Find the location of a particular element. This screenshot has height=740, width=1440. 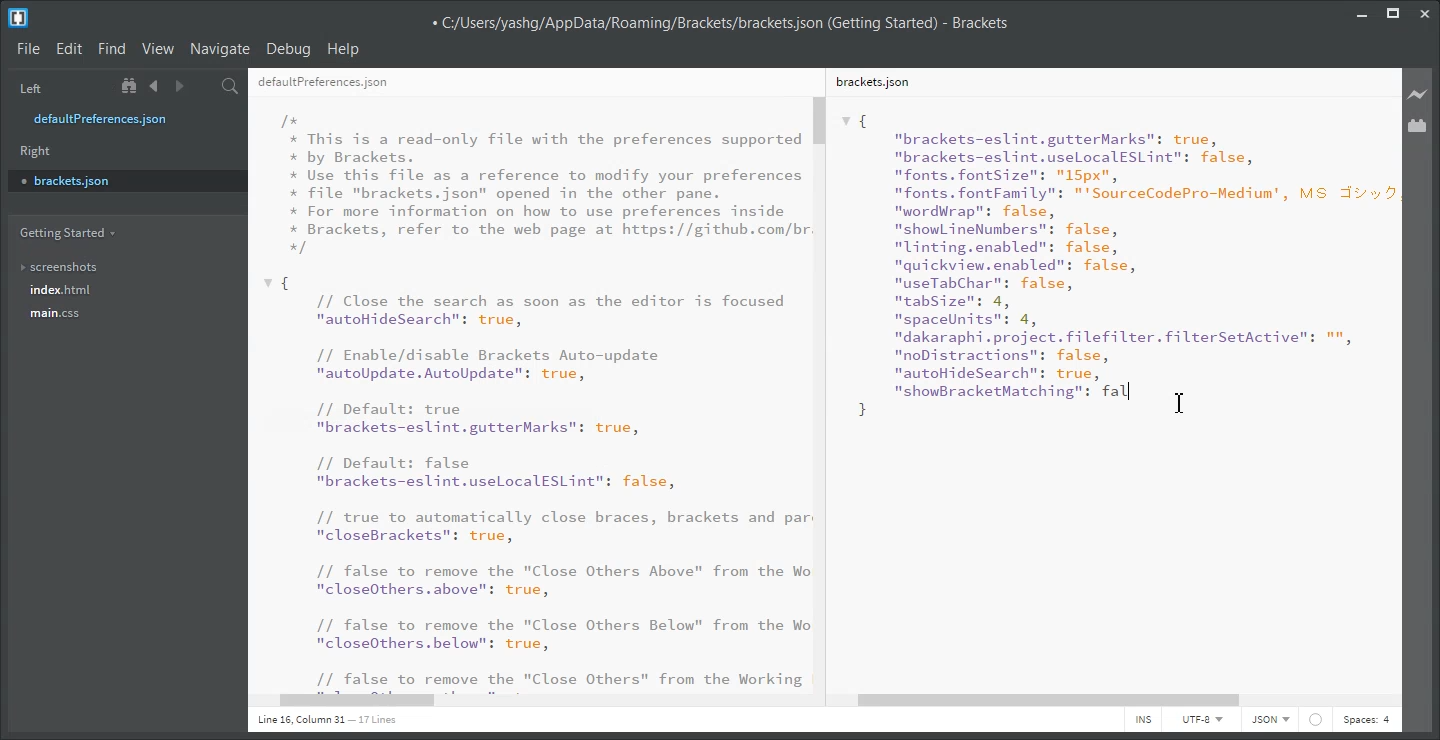

Maximize is located at coordinates (1393, 11).